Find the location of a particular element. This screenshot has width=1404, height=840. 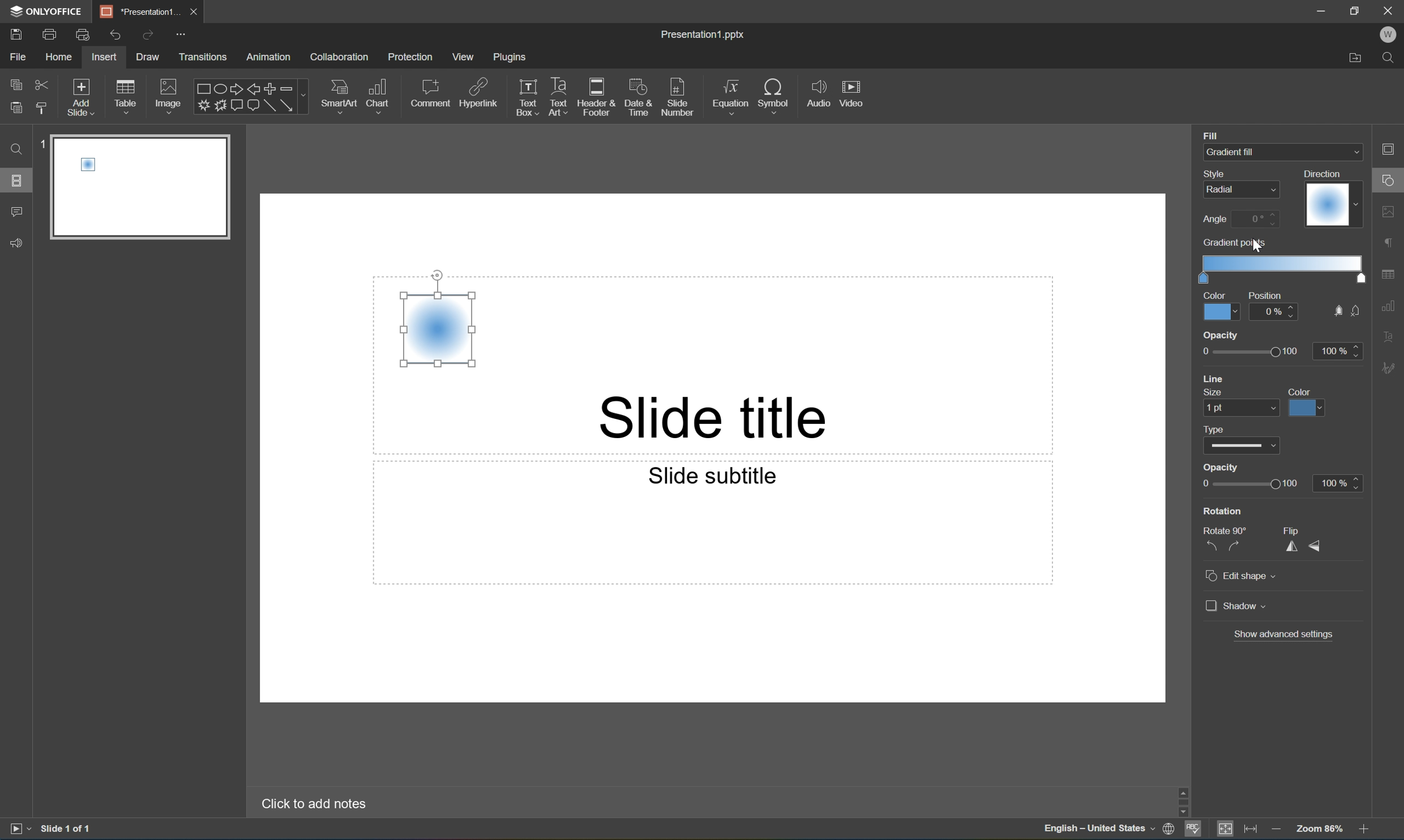

Scroll Down is located at coordinates (1364, 812).